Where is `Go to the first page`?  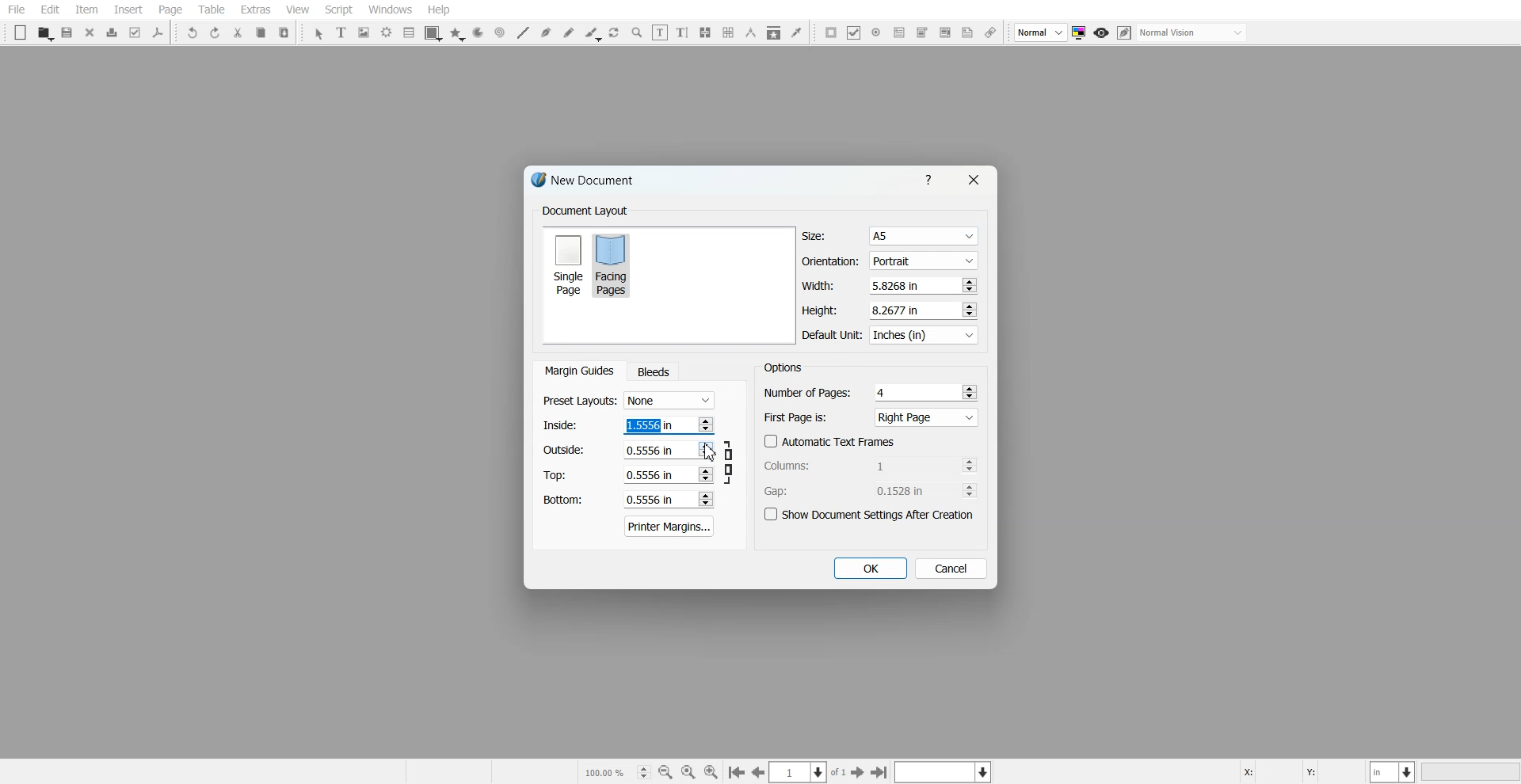
Go to the first page is located at coordinates (881, 772).